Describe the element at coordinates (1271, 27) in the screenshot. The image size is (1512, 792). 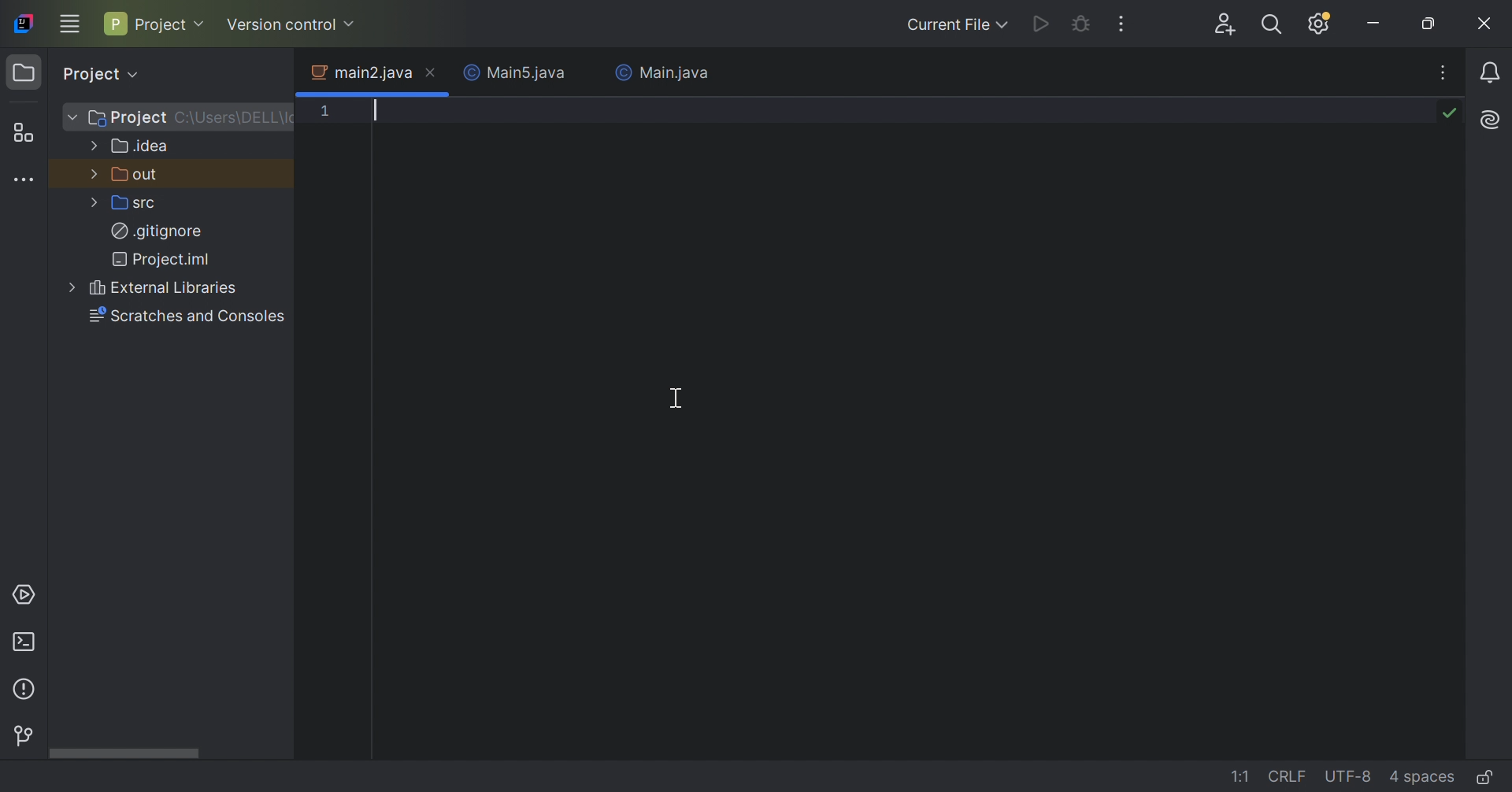
I see `Search everywhere` at that location.